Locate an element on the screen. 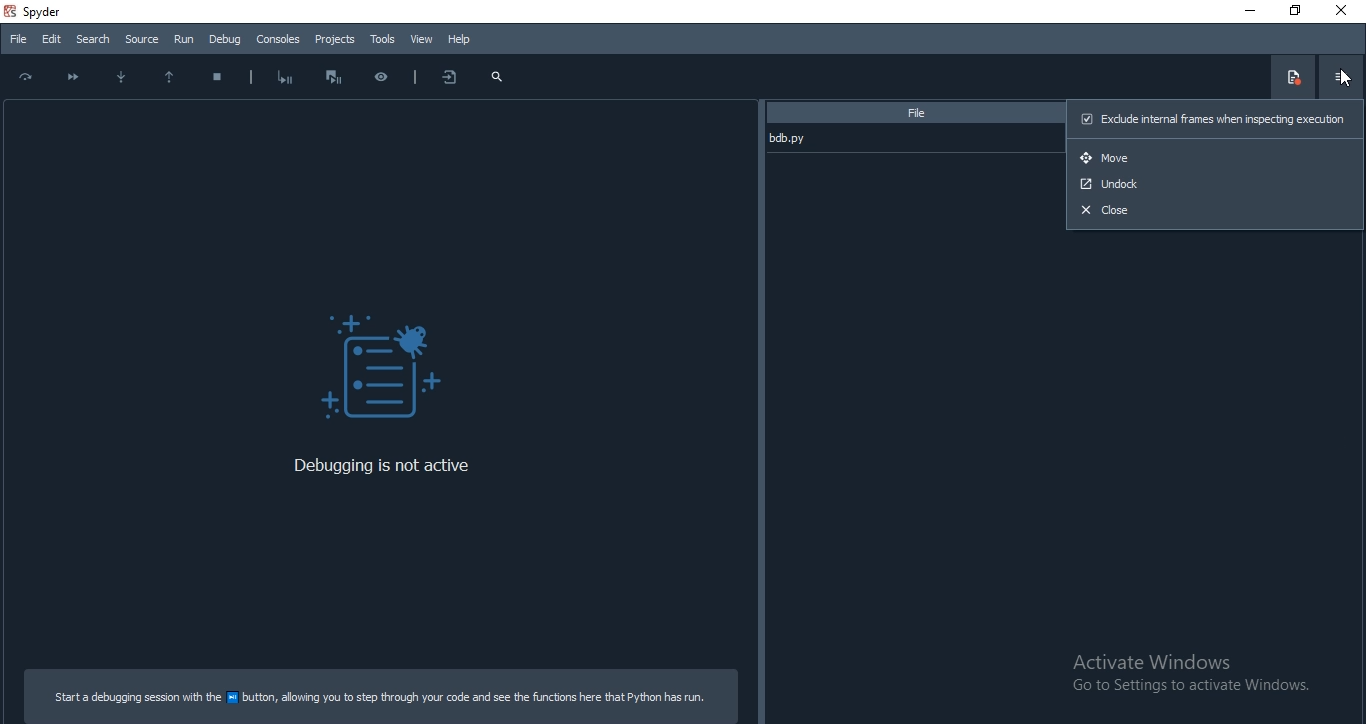 Image resolution: width=1366 pixels, height=724 pixels. Exclude internal frames when inspecting execution is located at coordinates (1214, 120).